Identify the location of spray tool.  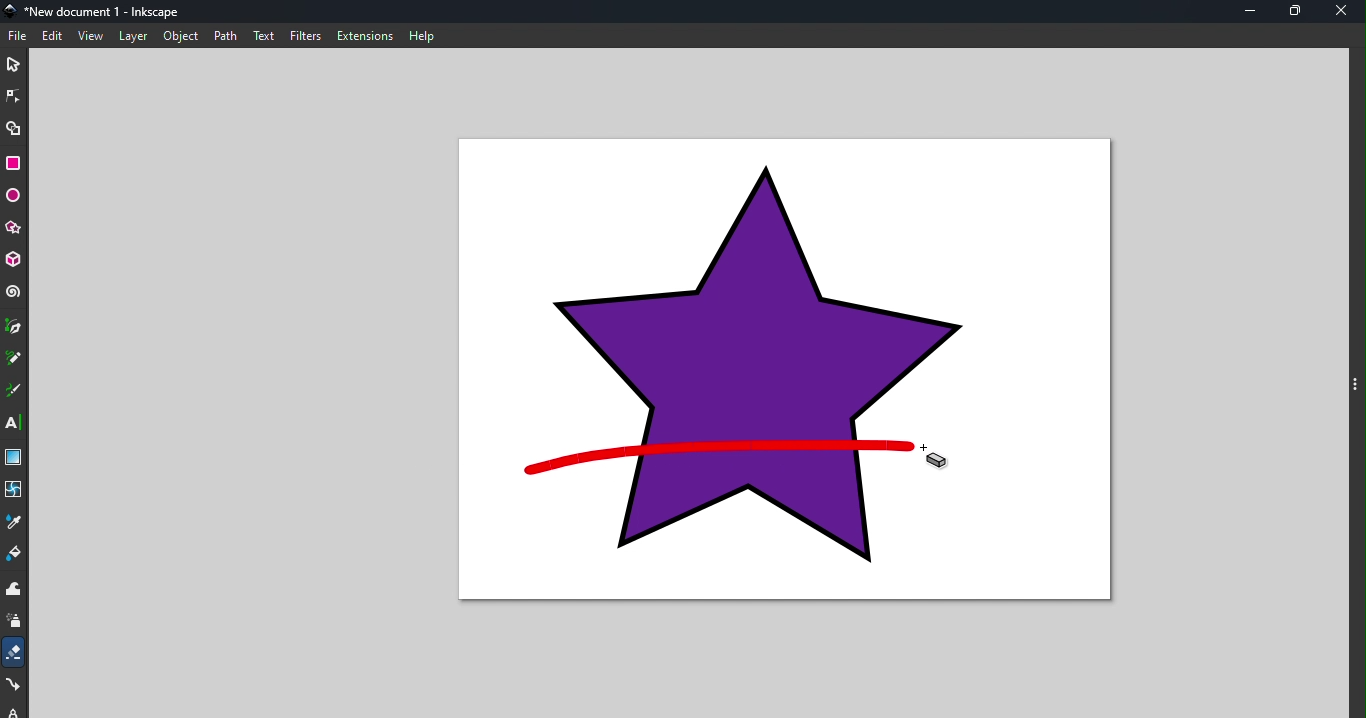
(15, 623).